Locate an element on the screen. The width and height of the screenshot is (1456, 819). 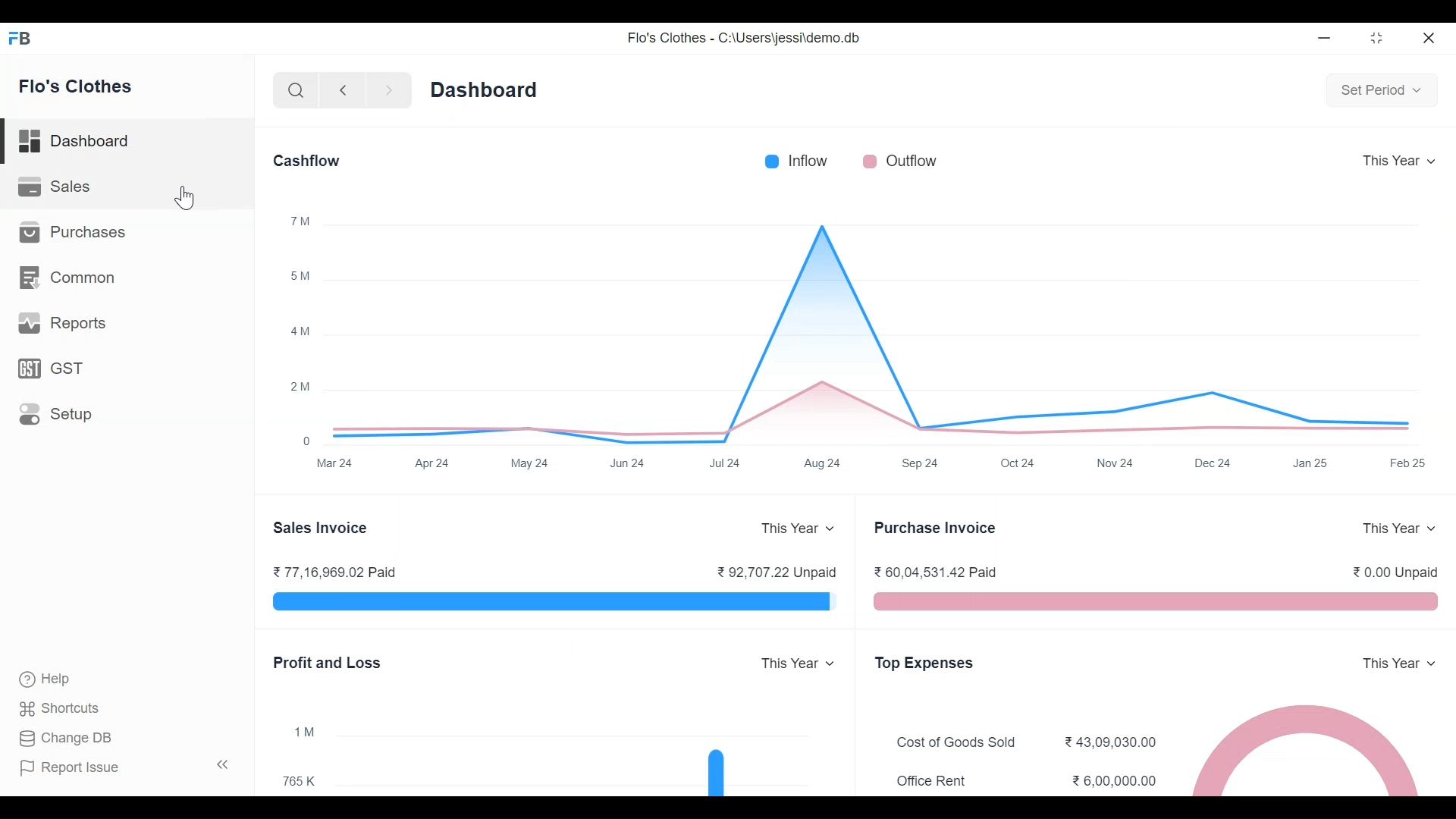
Restore is located at coordinates (1377, 39).